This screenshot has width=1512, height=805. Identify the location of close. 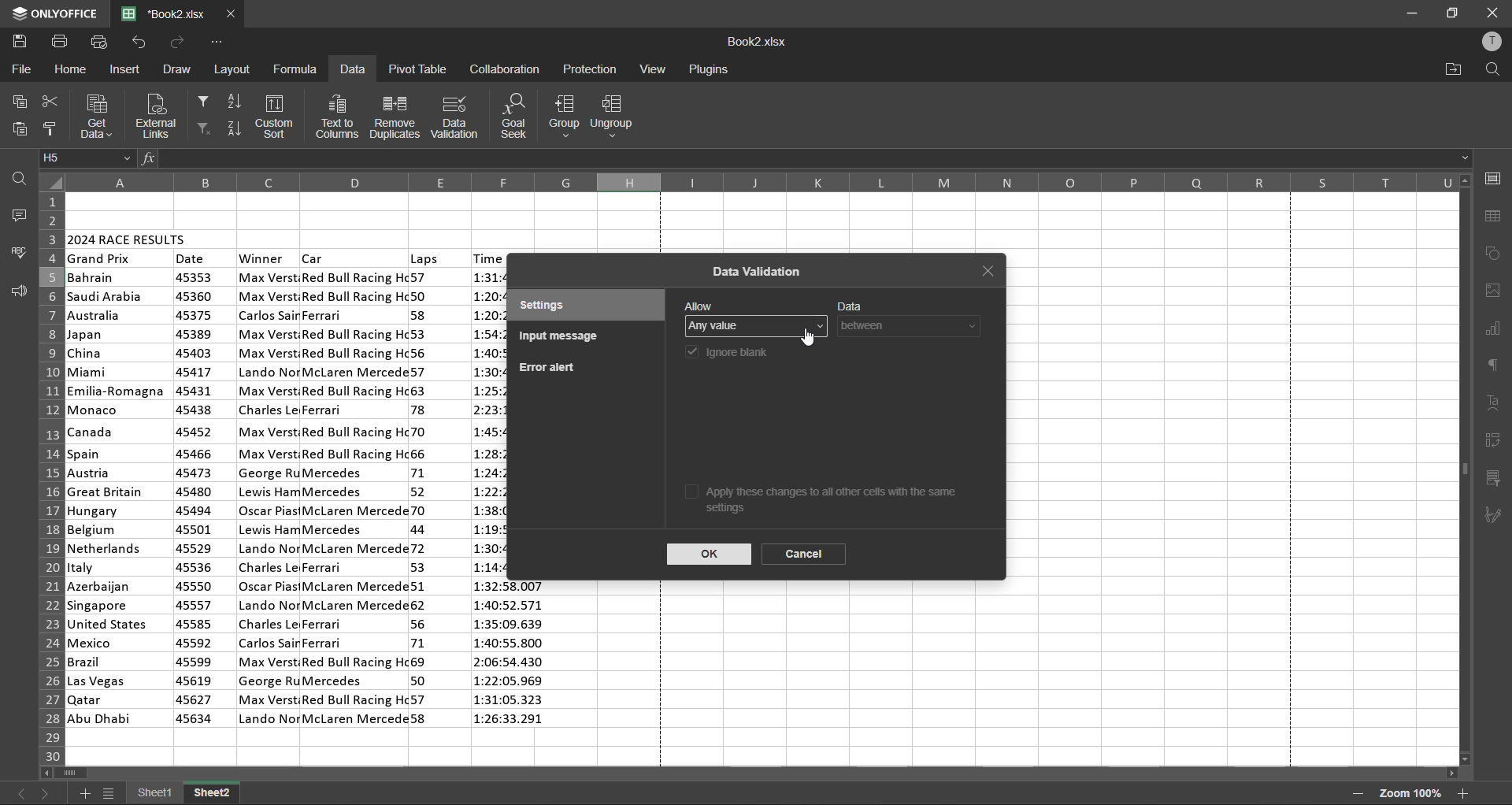
(1491, 12).